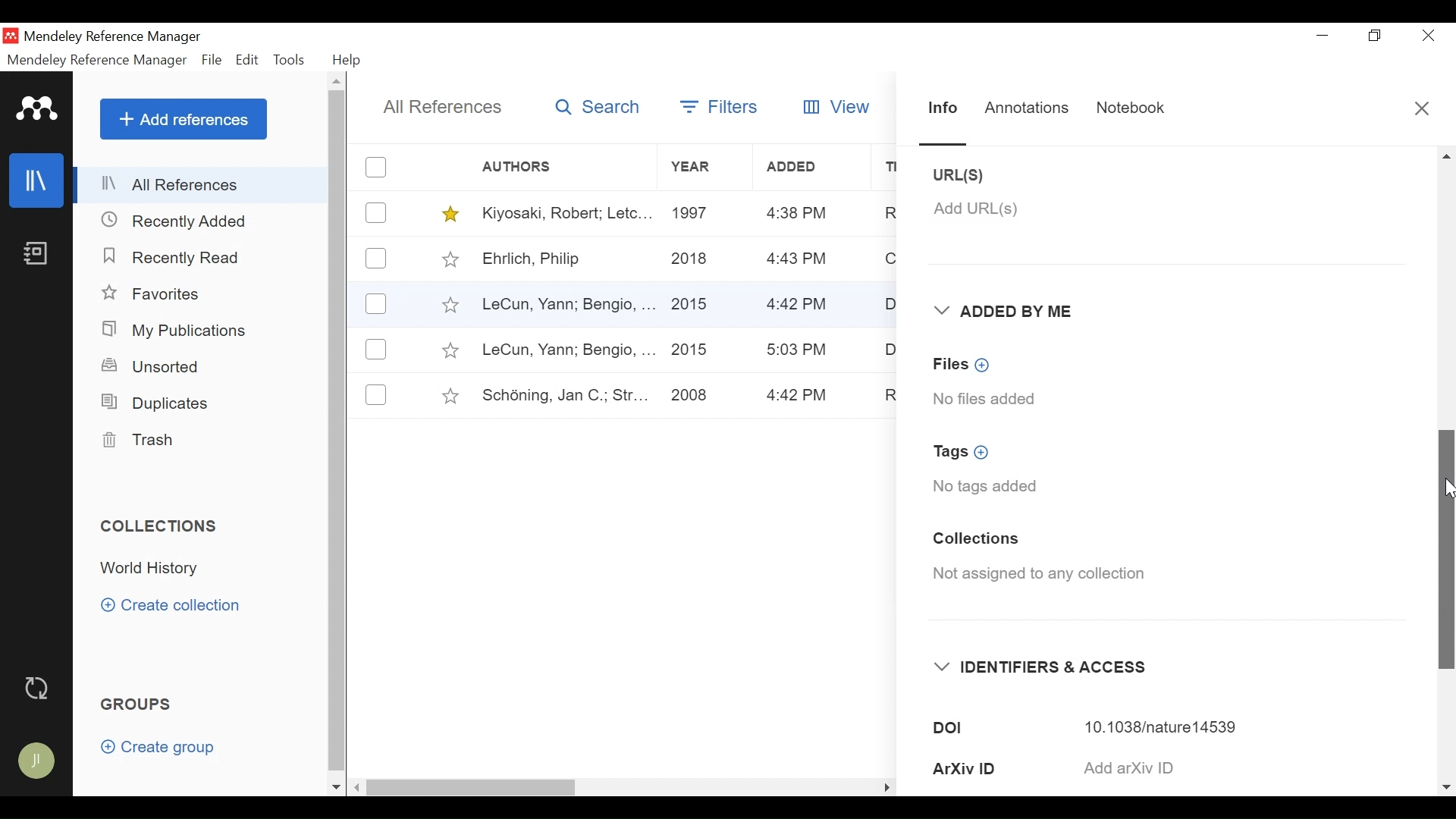 Image resolution: width=1456 pixels, height=819 pixels. Describe the element at coordinates (375, 349) in the screenshot. I see `(un)select` at that location.